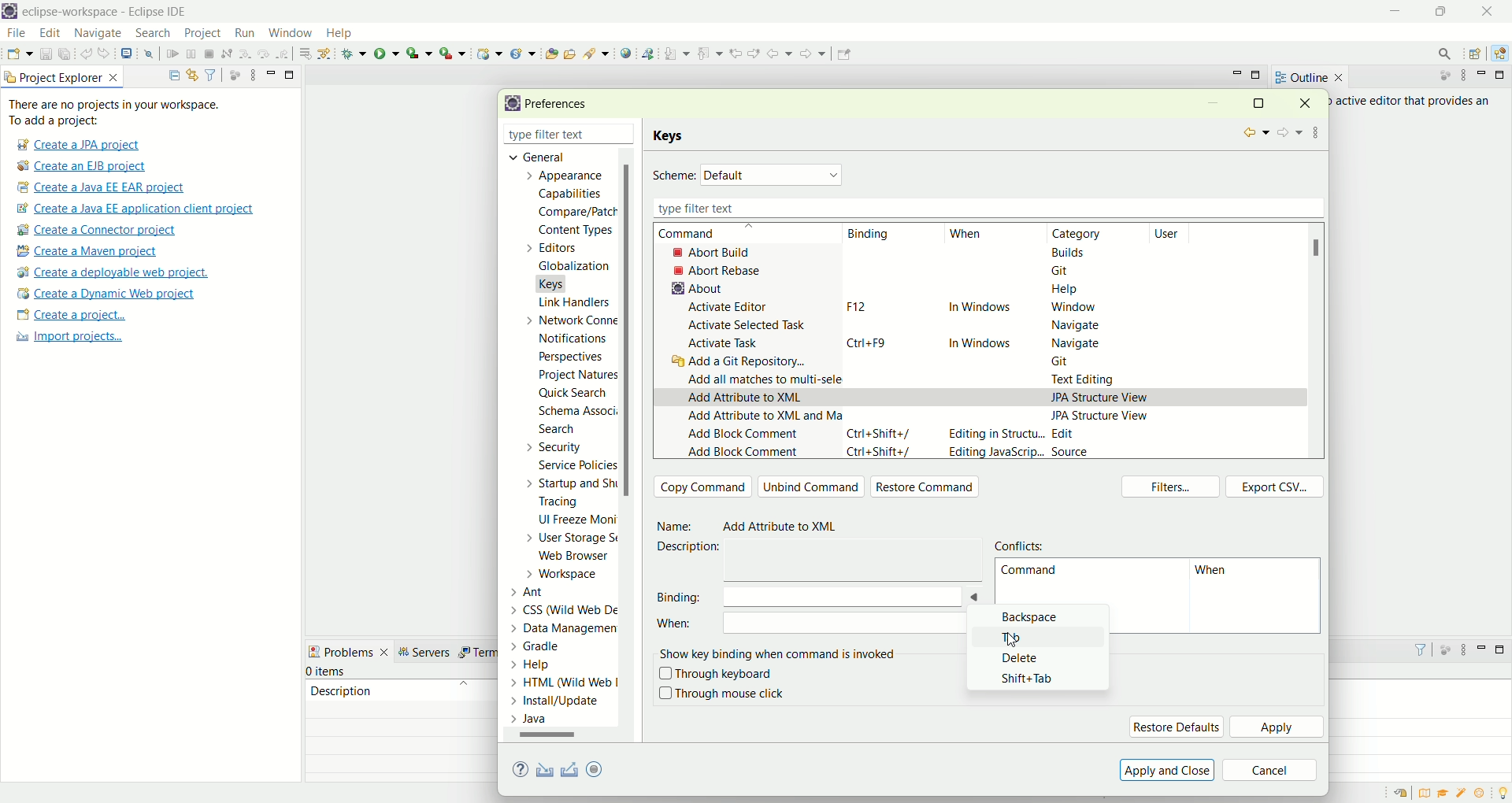 The height and width of the screenshot is (803, 1512). Describe the element at coordinates (98, 34) in the screenshot. I see `navigate` at that location.